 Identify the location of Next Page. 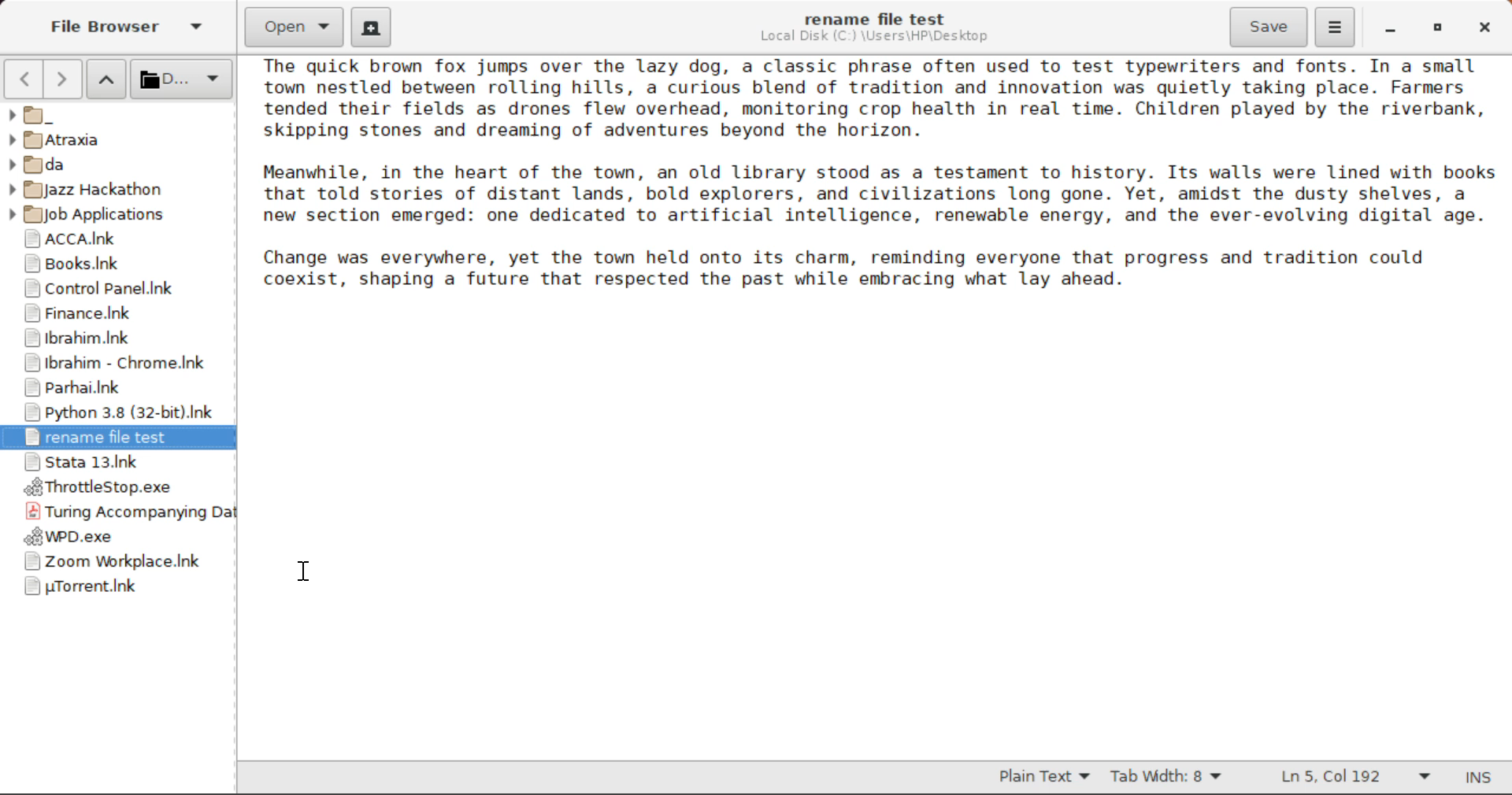
(65, 79).